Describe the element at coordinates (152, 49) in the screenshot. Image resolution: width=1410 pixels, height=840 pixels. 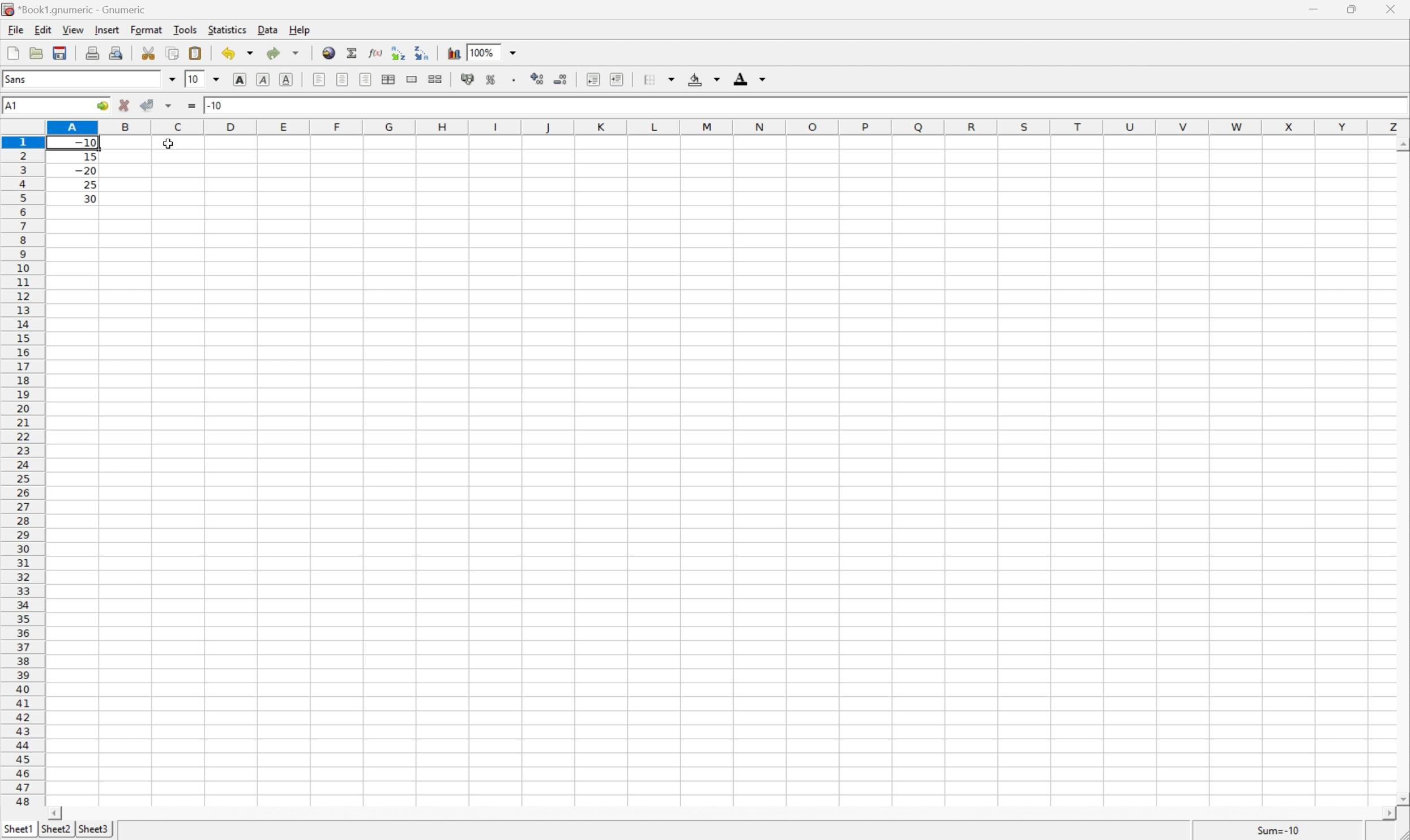
I see `Copy the selection` at that location.